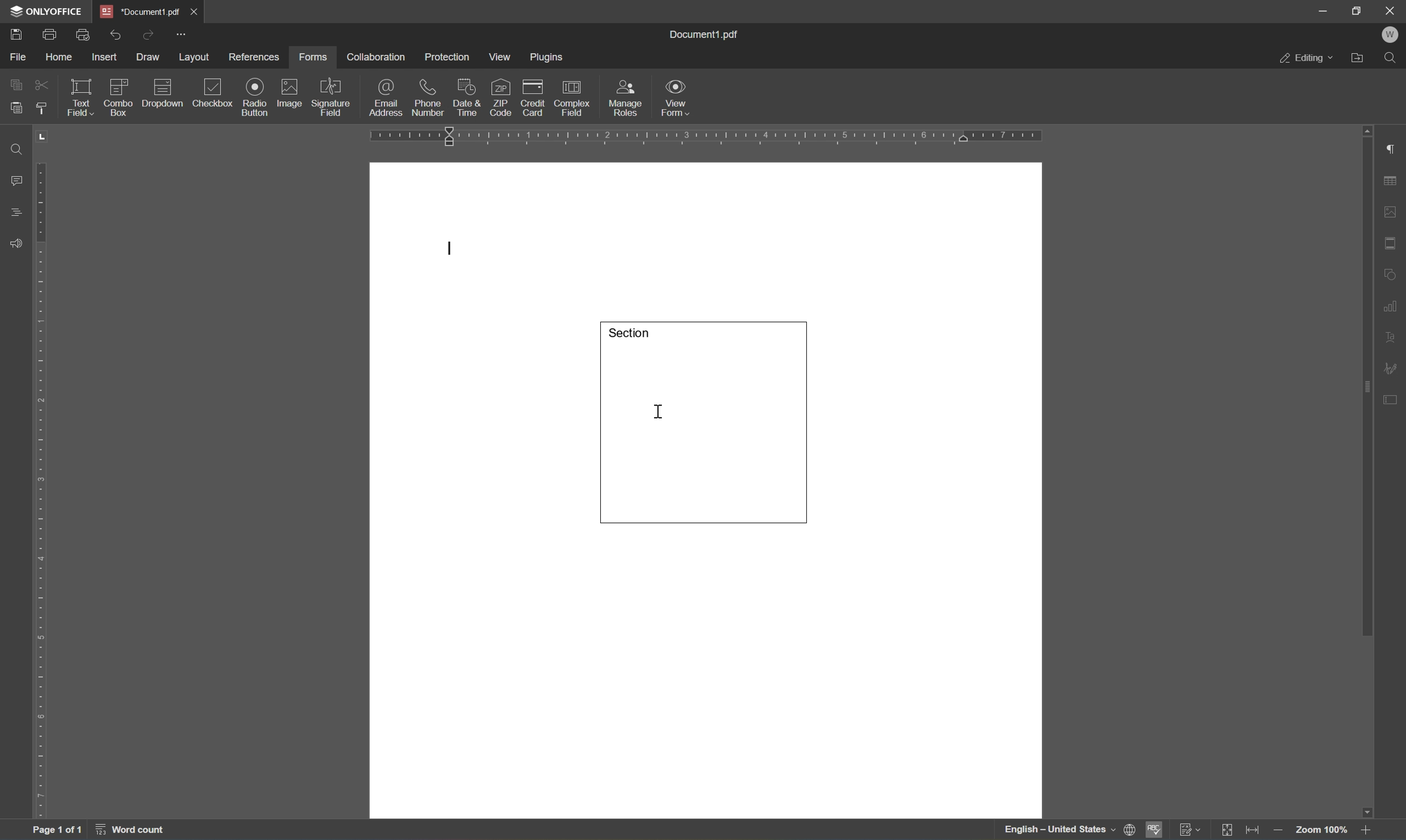  I want to click on manage roles, so click(626, 97).